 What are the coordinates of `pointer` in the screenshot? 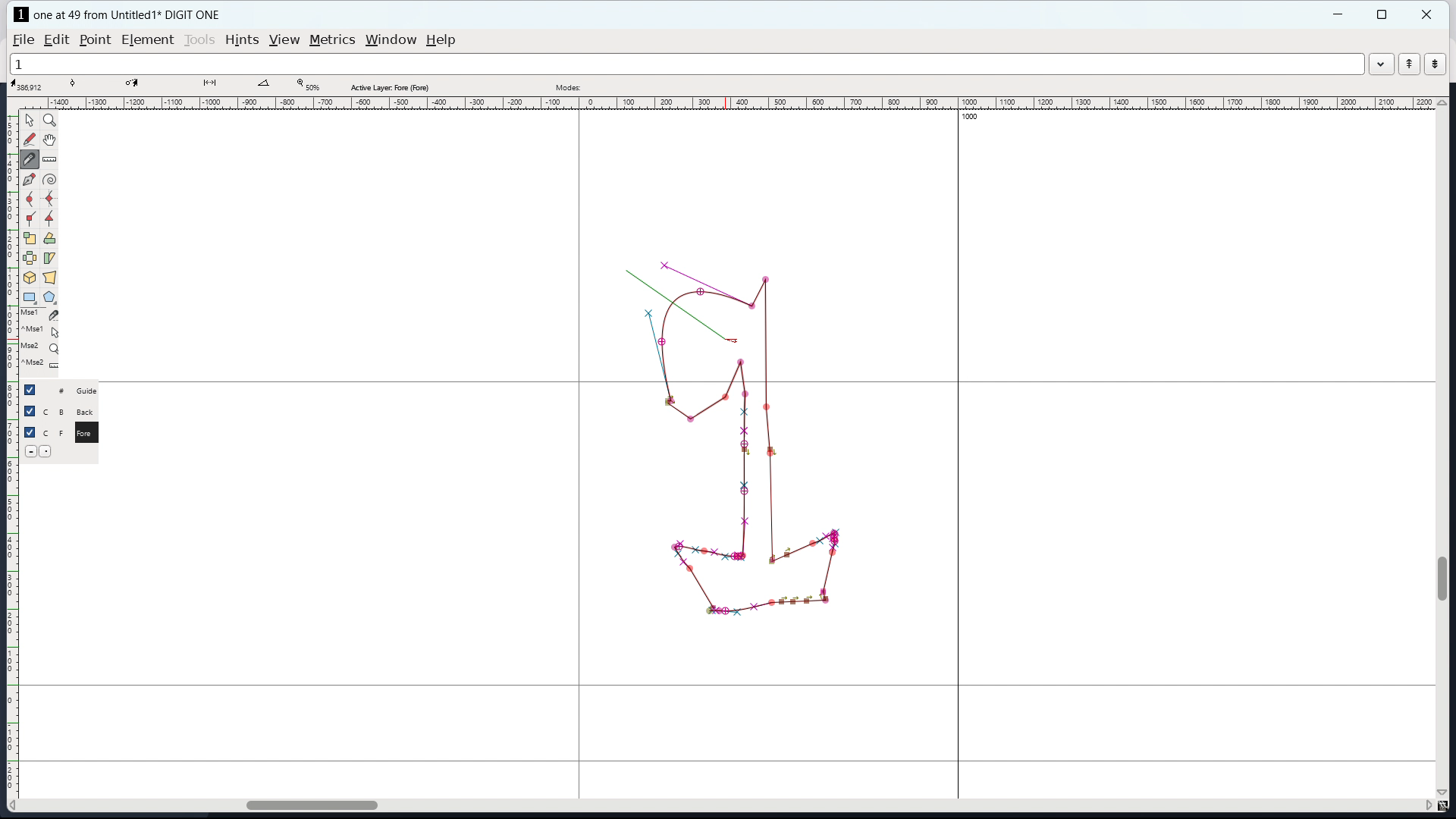 It's located at (30, 119).